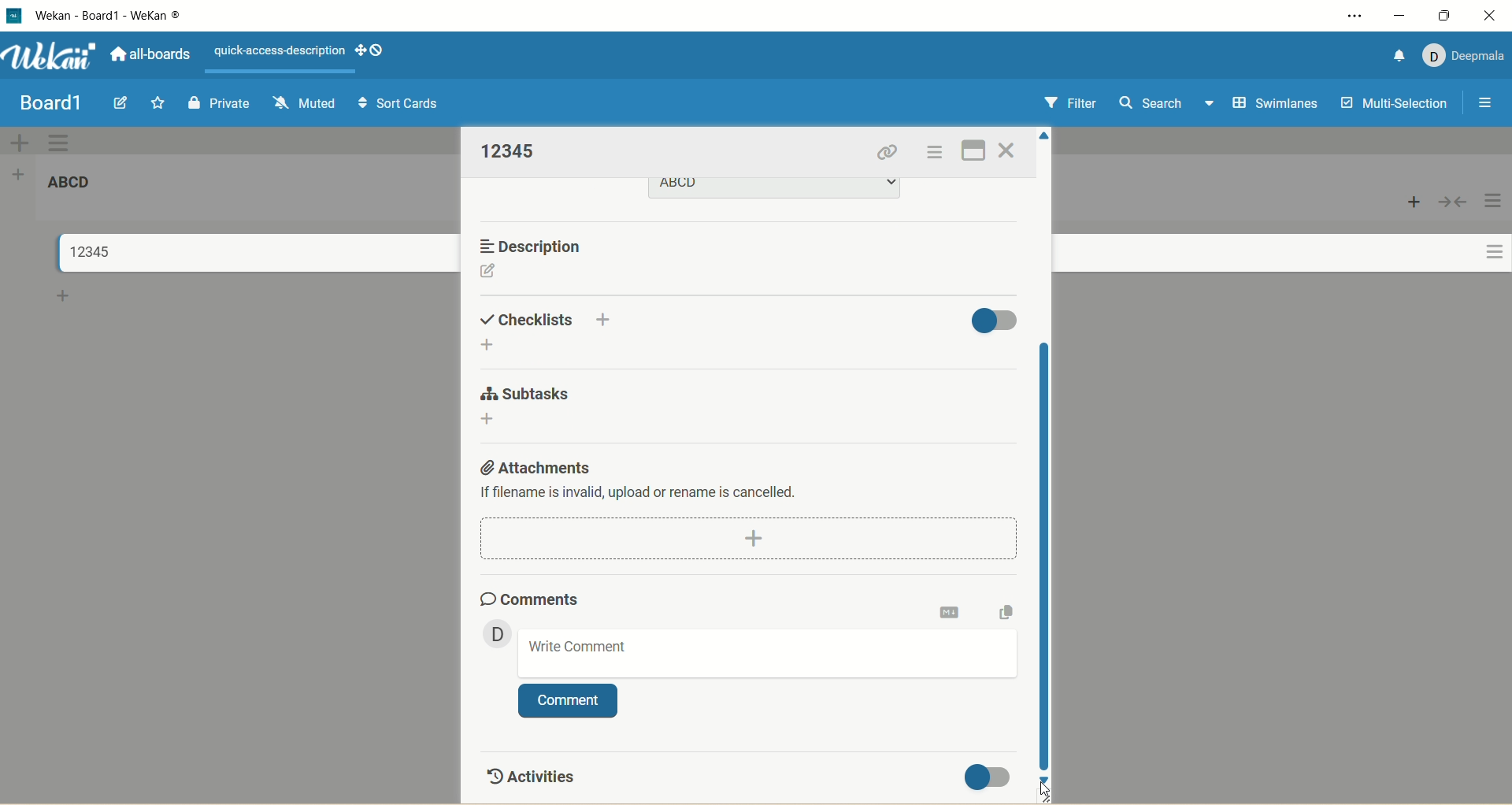  What do you see at coordinates (1277, 105) in the screenshot?
I see `swimlanes` at bounding box center [1277, 105].